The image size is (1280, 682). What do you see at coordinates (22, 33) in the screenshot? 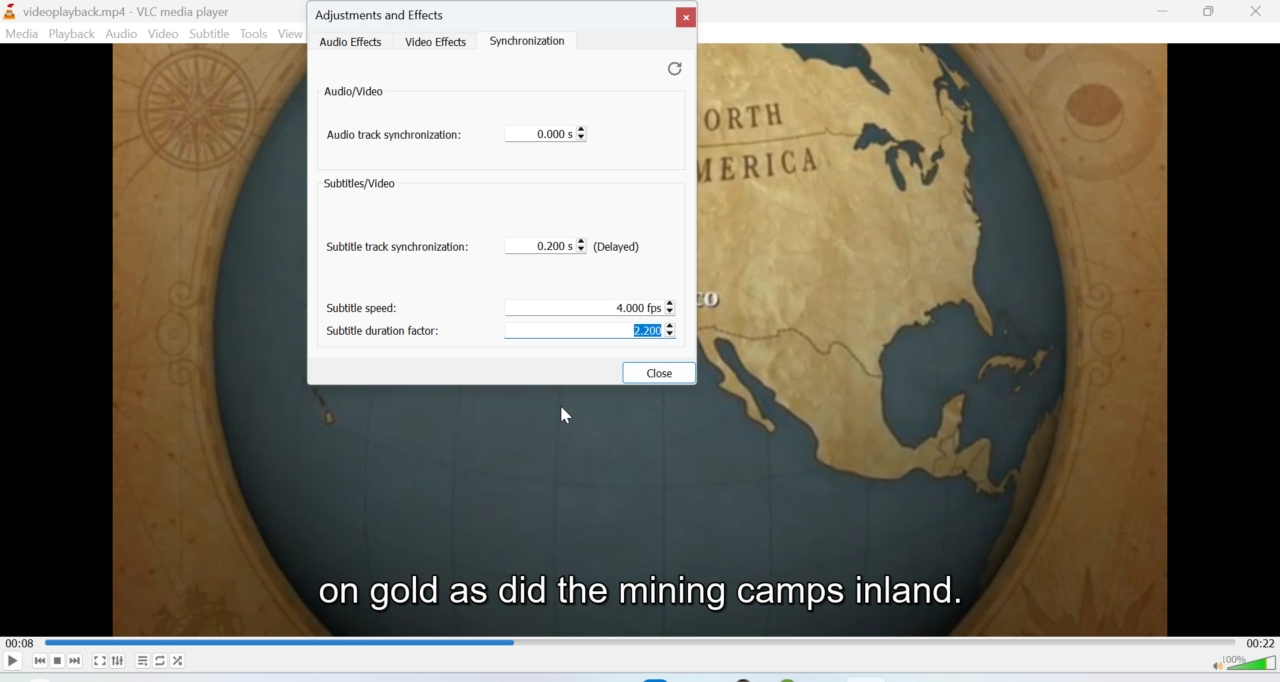
I see `Media` at bounding box center [22, 33].